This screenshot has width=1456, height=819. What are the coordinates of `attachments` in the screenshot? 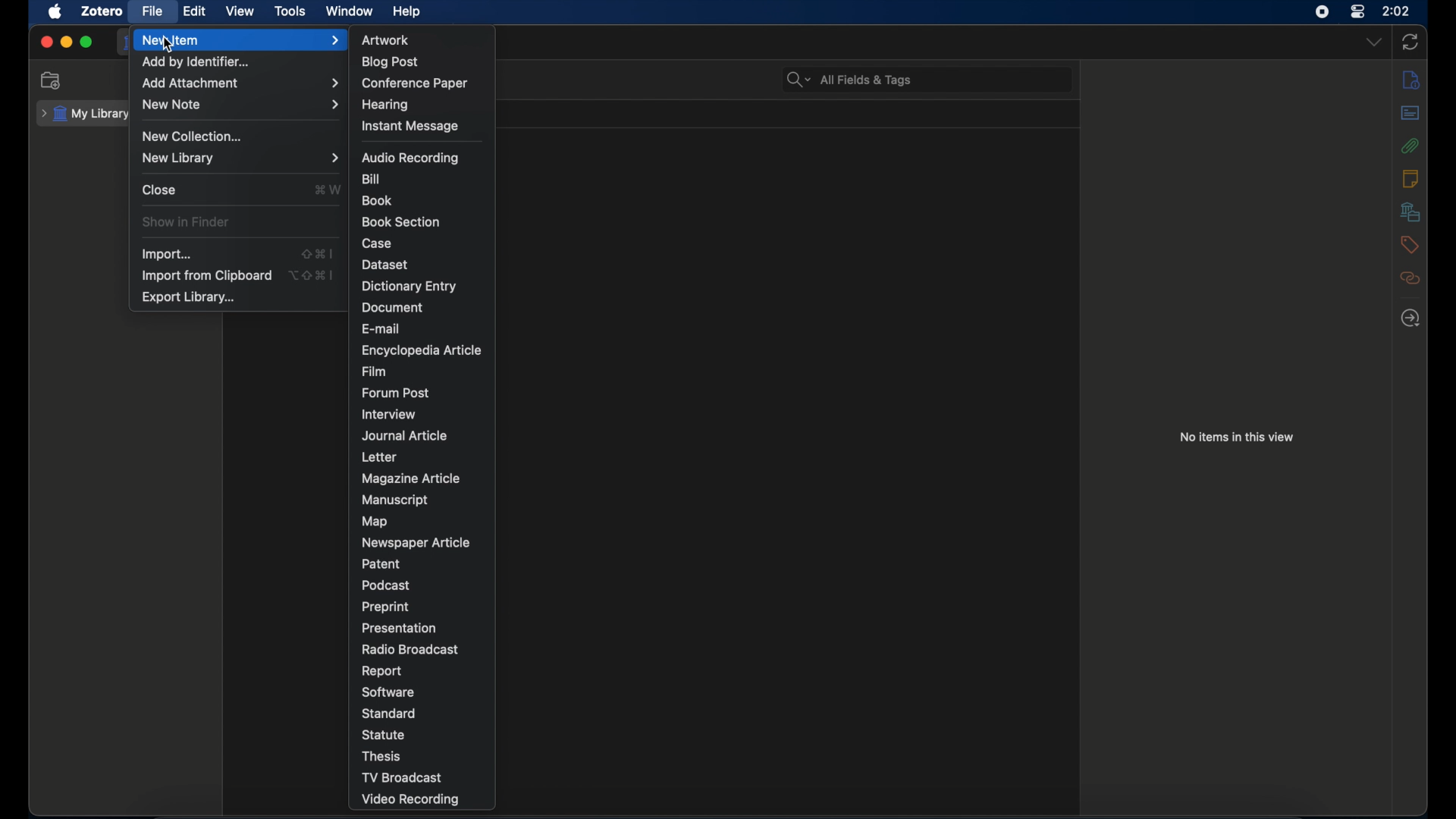 It's located at (1410, 146).